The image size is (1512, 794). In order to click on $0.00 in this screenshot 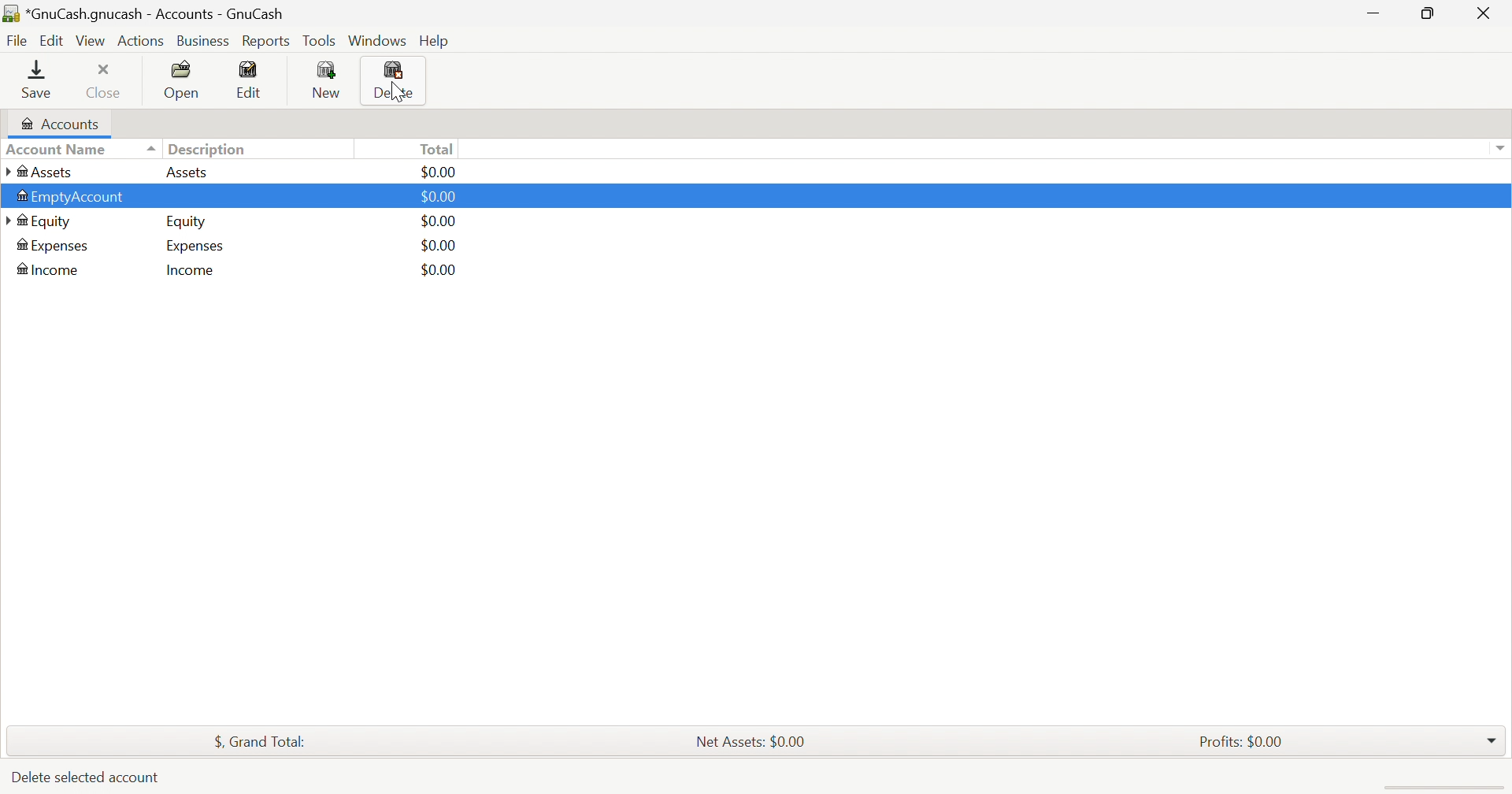, I will do `click(441, 222)`.